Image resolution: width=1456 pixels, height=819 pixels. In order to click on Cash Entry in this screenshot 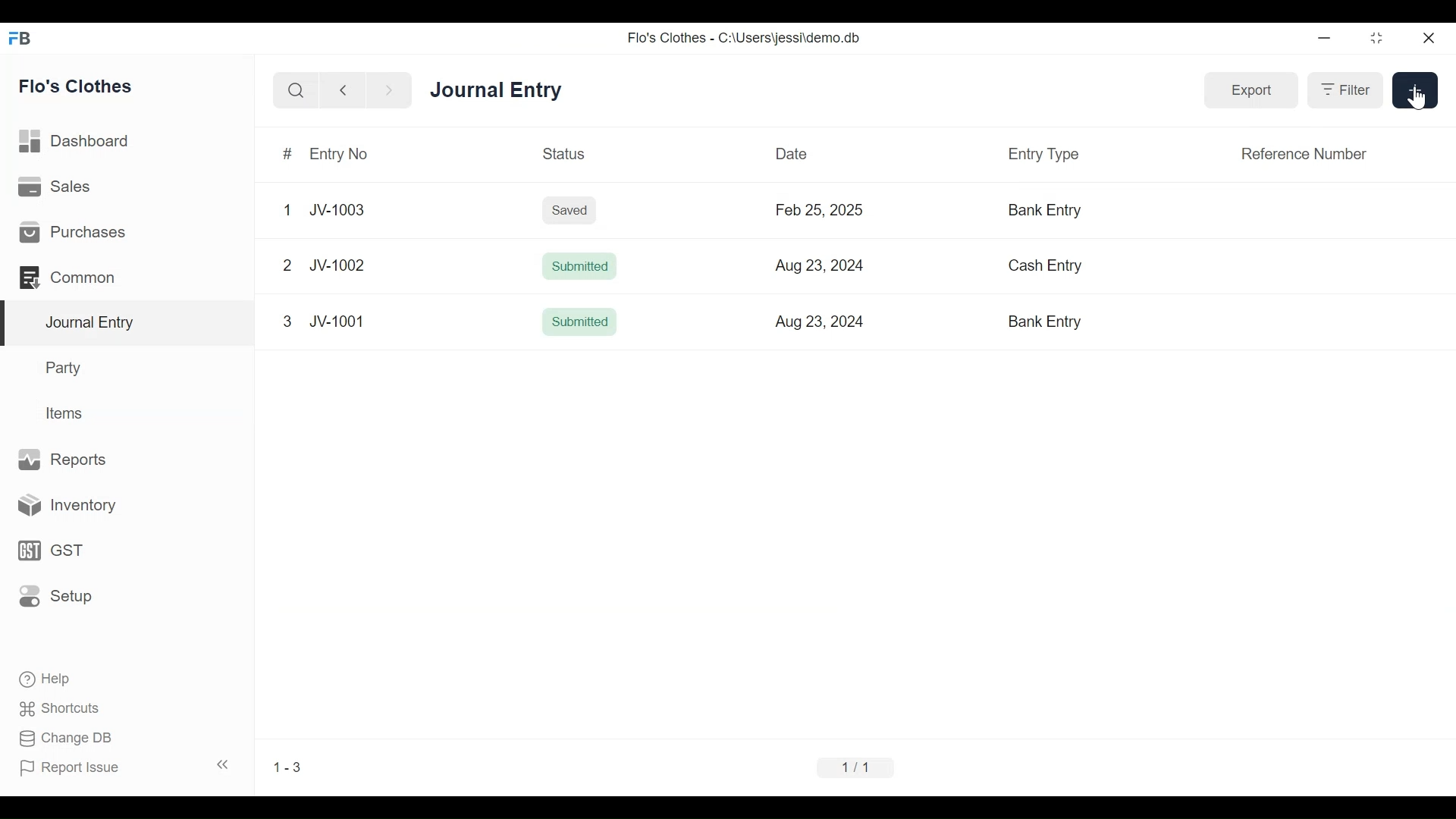, I will do `click(1047, 268)`.